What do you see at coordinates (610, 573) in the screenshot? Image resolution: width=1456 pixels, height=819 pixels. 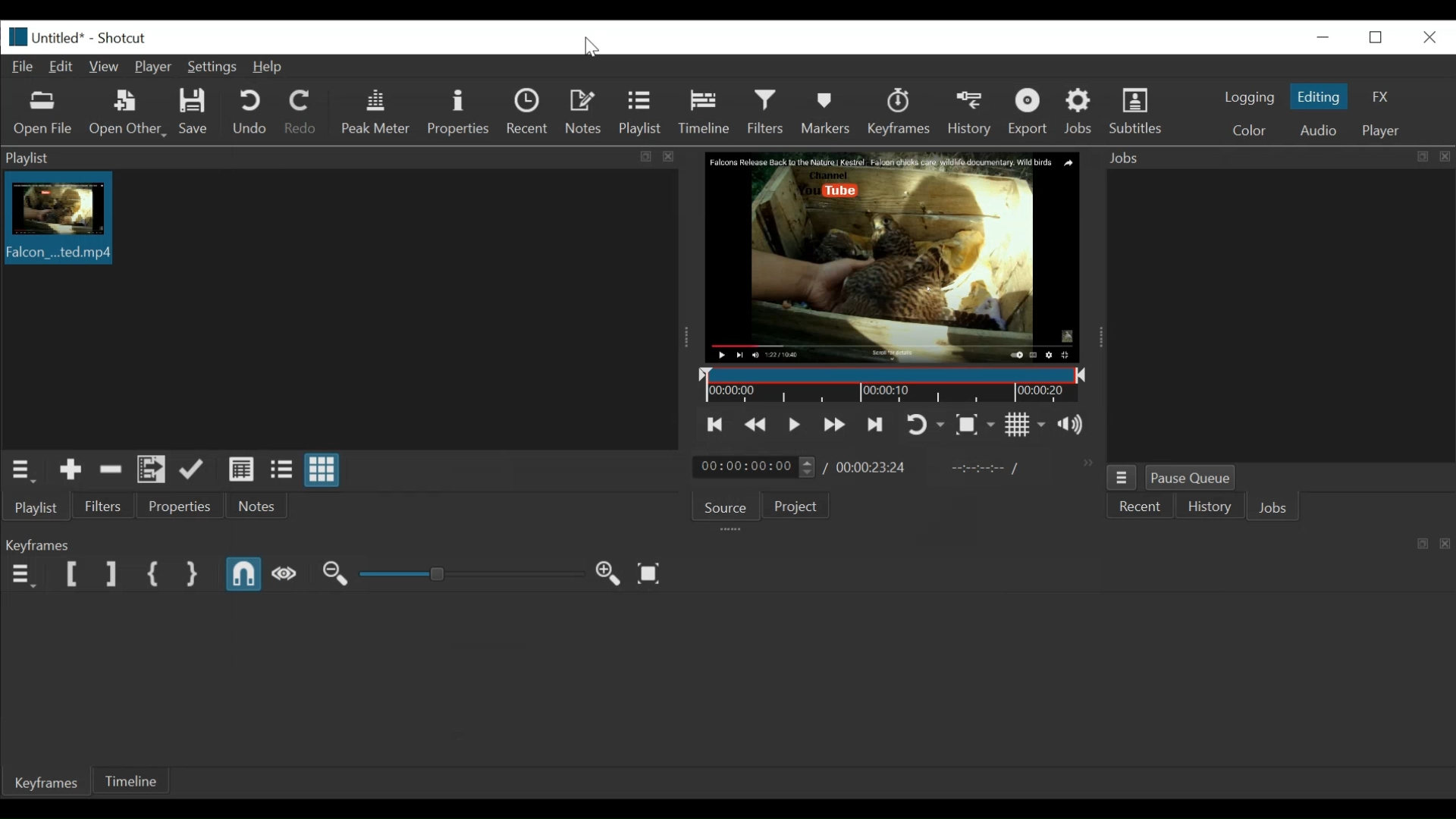 I see `Zoom Keyframe in` at bounding box center [610, 573].